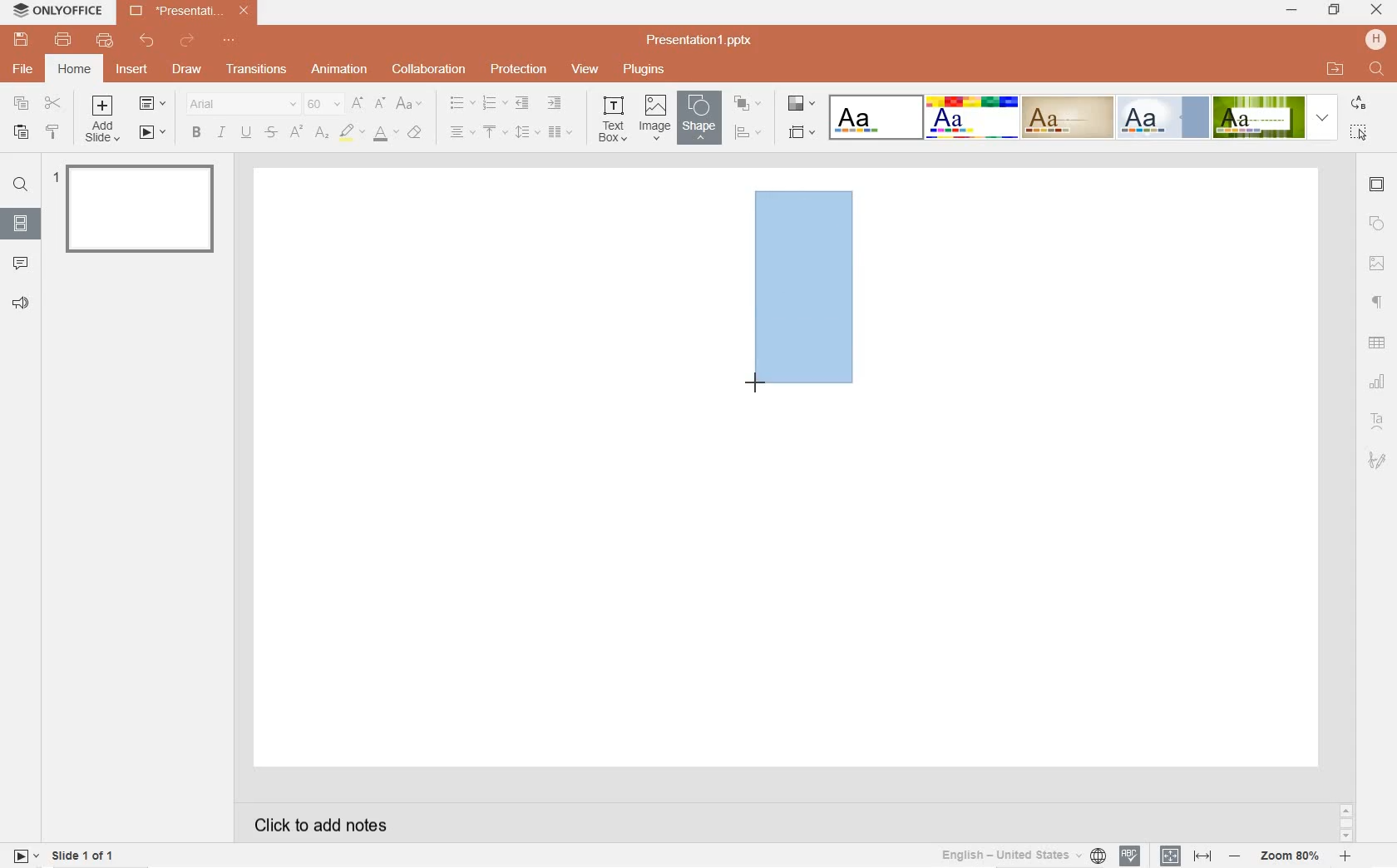 The image size is (1397, 868). What do you see at coordinates (585, 70) in the screenshot?
I see `view` at bounding box center [585, 70].